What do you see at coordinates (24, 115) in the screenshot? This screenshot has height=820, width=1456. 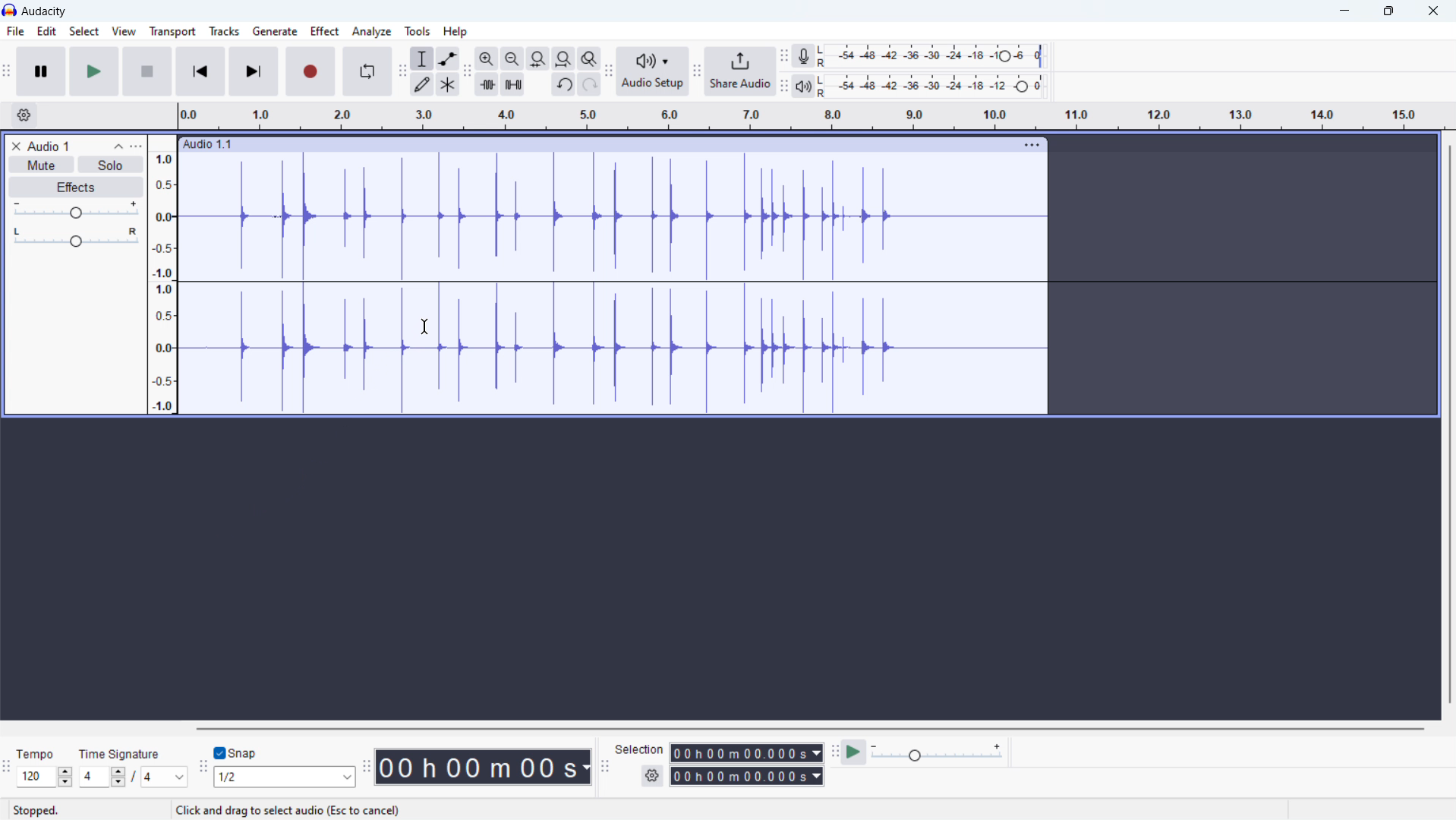 I see `timeline settings` at bounding box center [24, 115].